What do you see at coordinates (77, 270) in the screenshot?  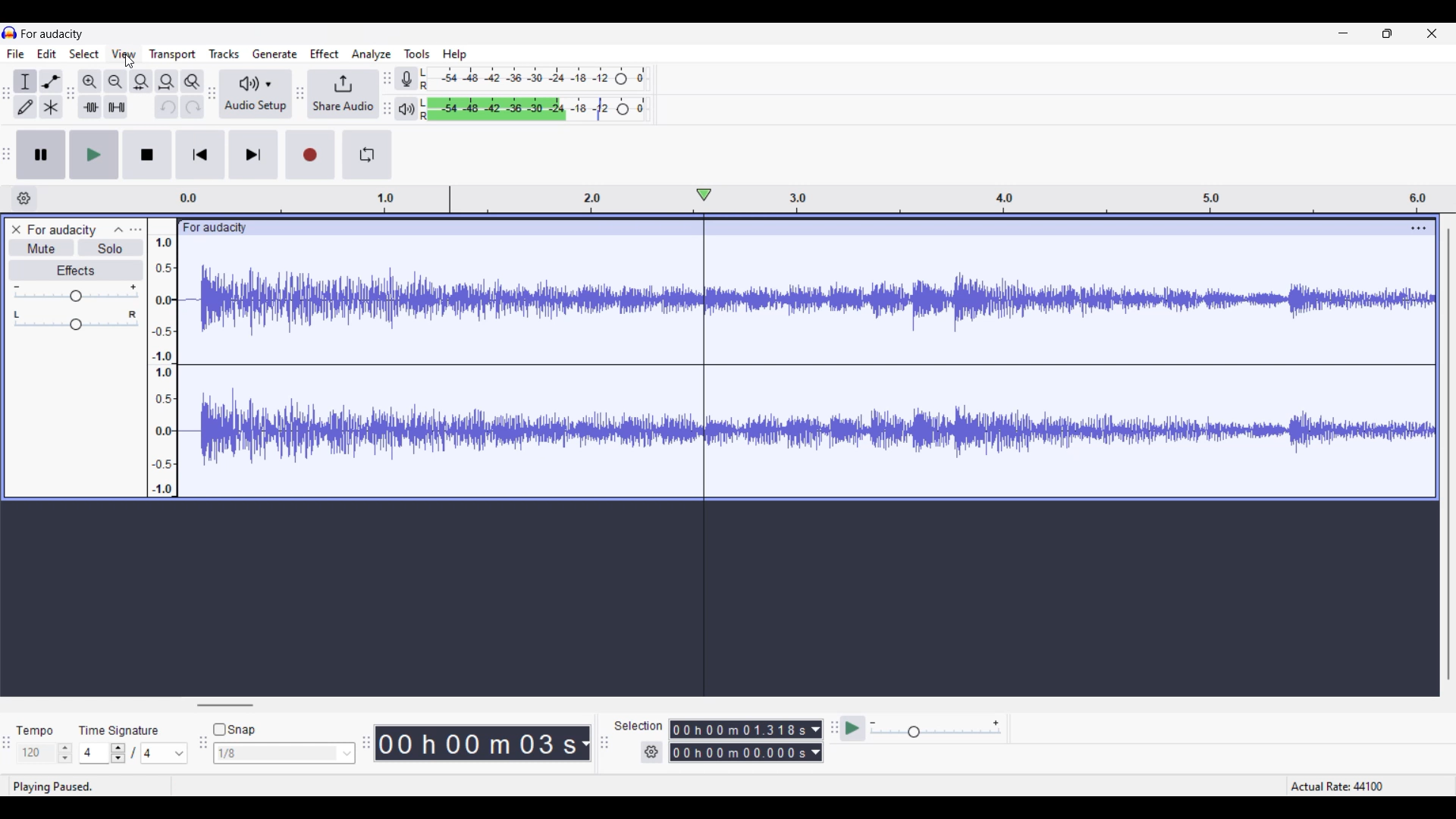 I see `Effects ` at bounding box center [77, 270].